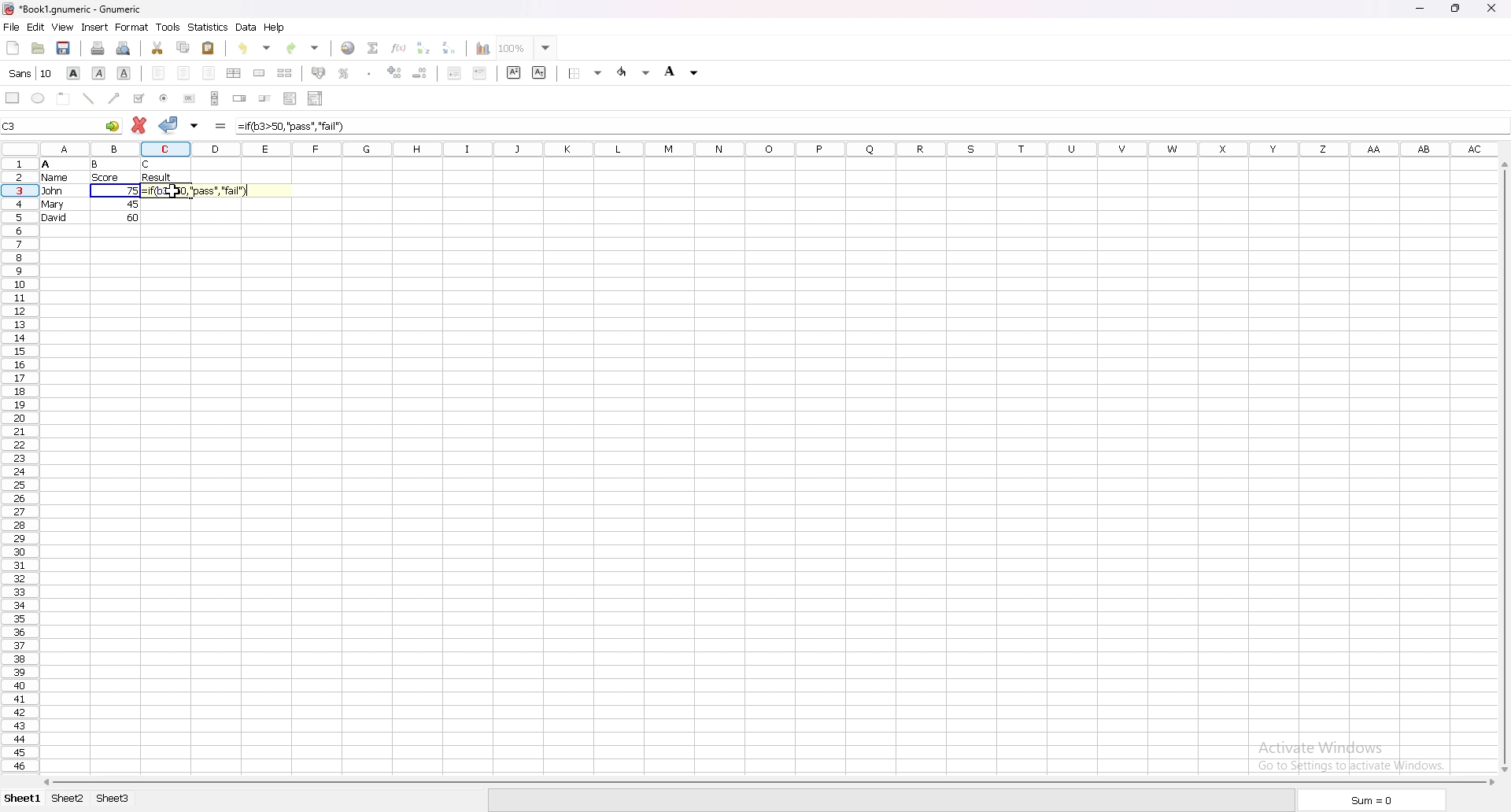  Describe the element at coordinates (316, 99) in the screenshot. I see `combo box` at that location.